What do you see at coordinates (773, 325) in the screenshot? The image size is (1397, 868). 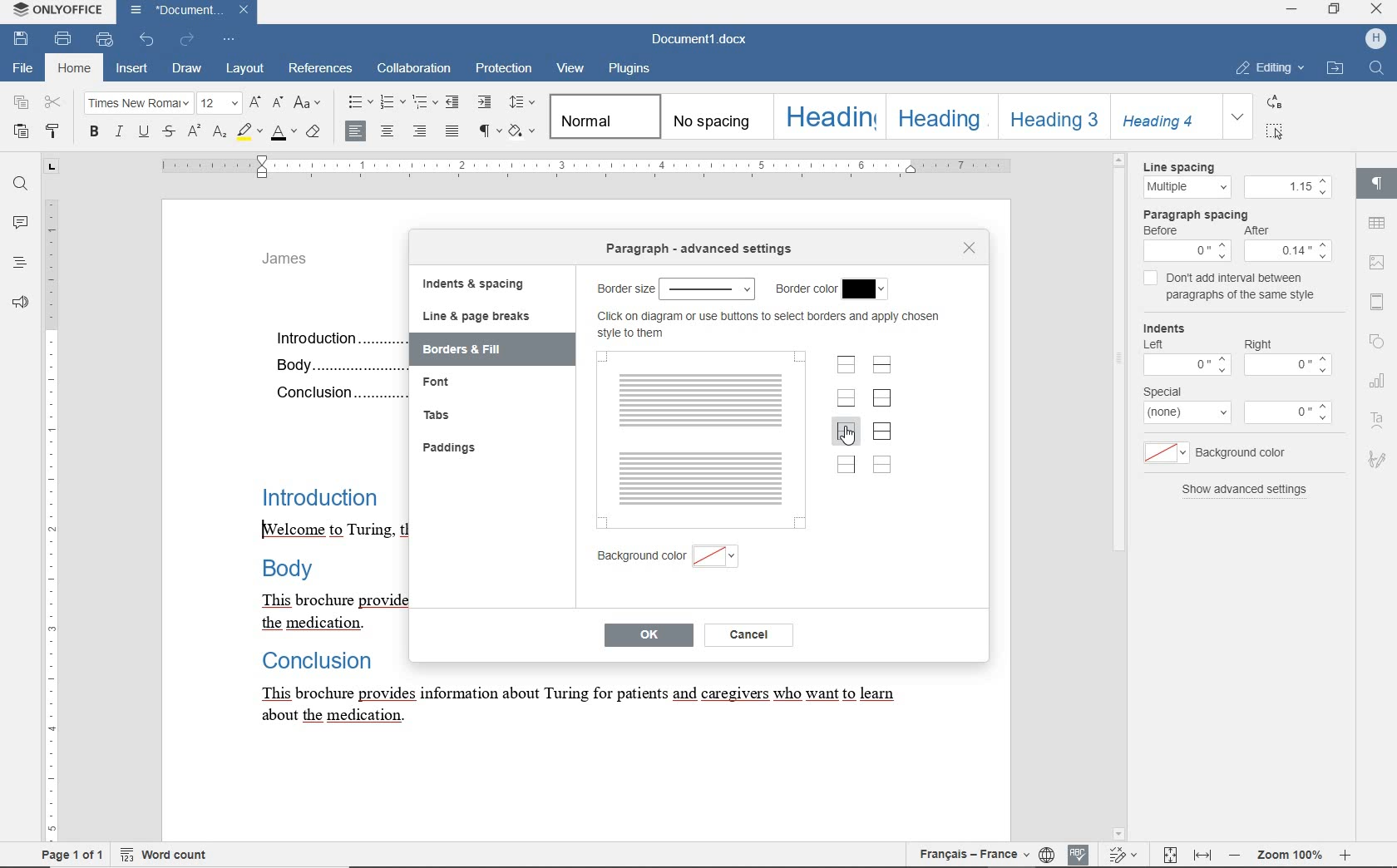 I see `Click on diagram or use buttons to select borders and apply chosen
style to them` at bounding box center [773, 325].